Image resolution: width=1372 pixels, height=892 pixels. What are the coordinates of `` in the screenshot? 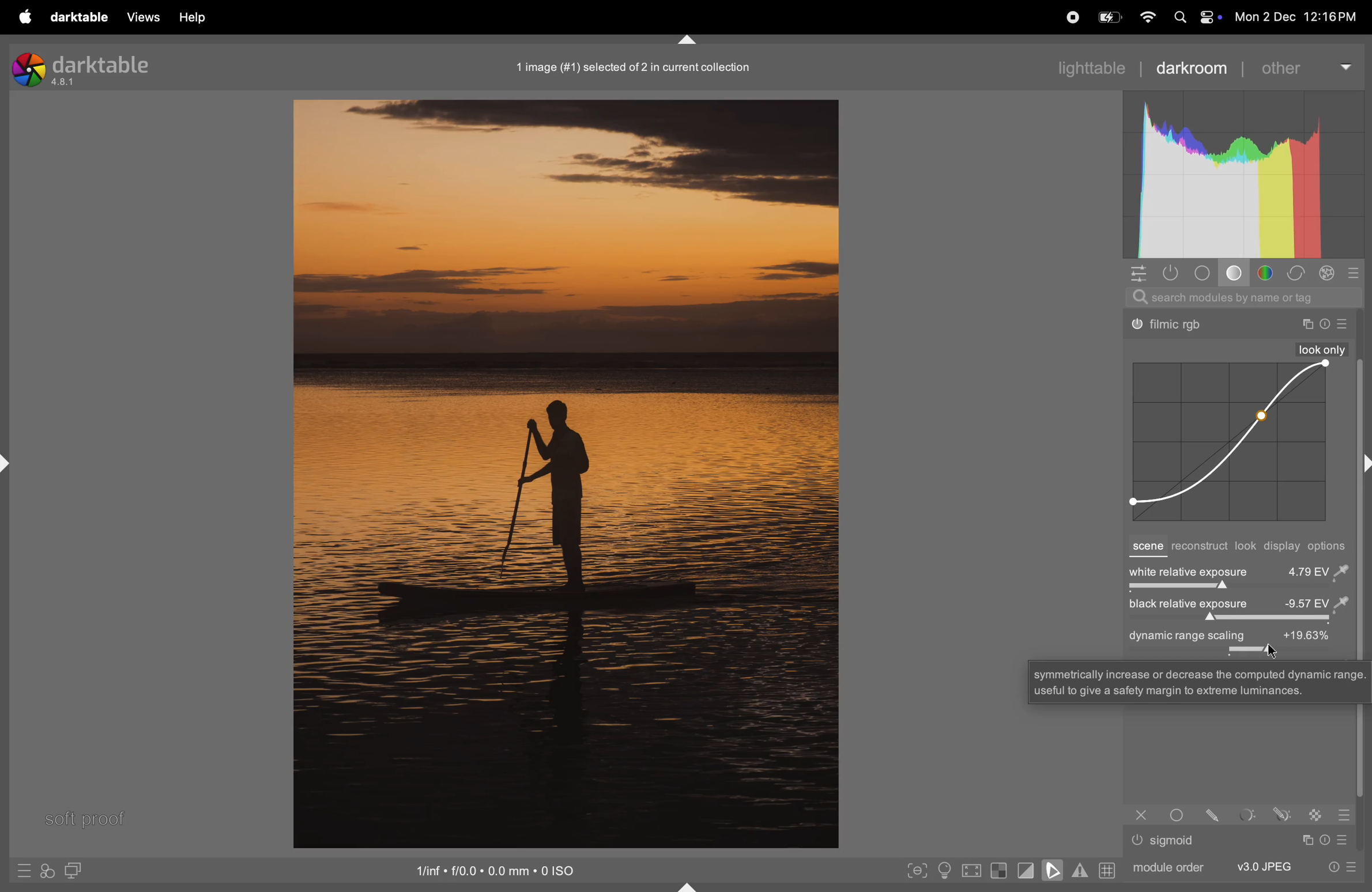 It's located at (1141, 815).